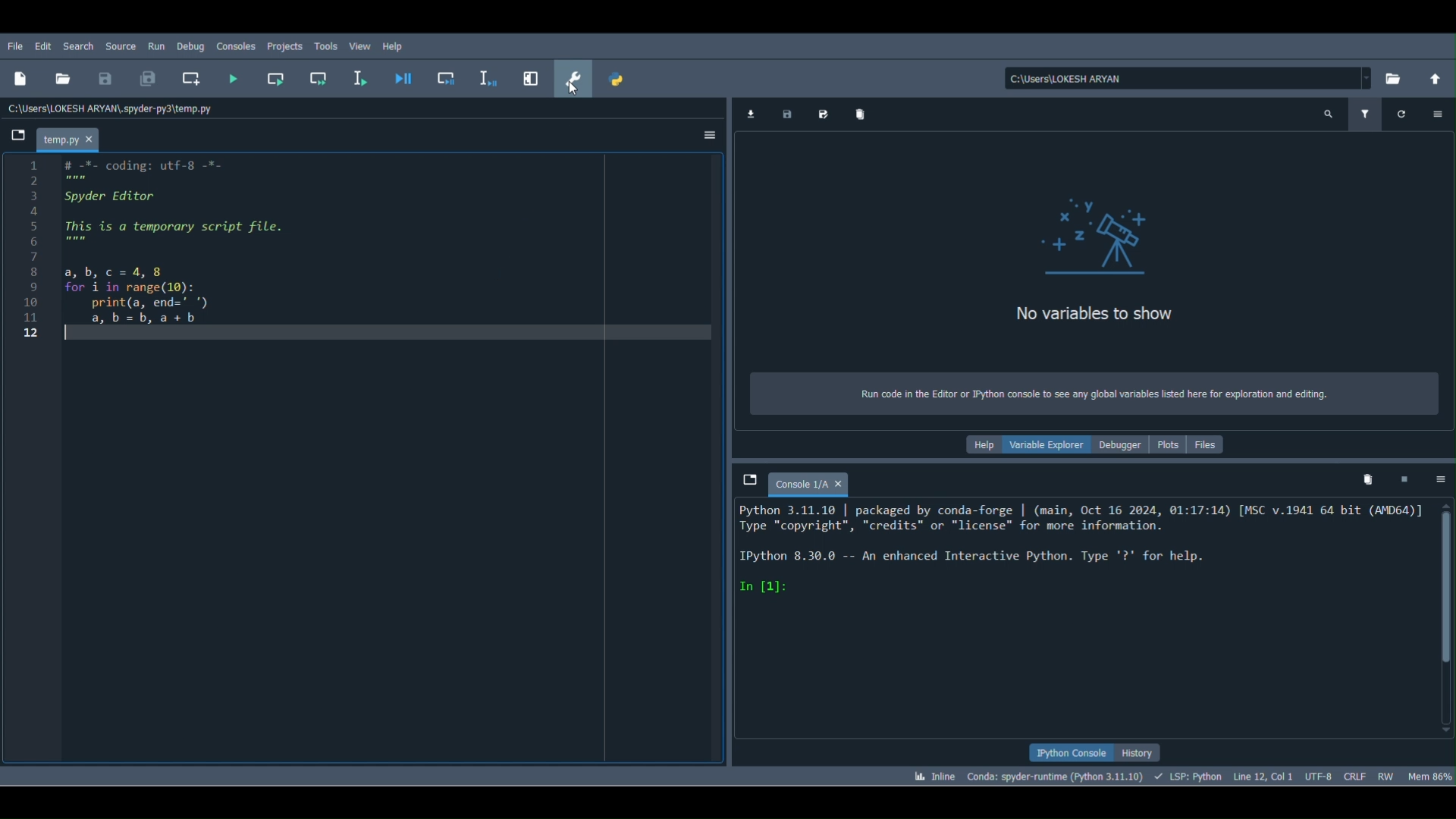  Describe the element at coordinates (1333, 113) in the screenshot. I see `Search variables names and types (Ctrl + F)` at that location.